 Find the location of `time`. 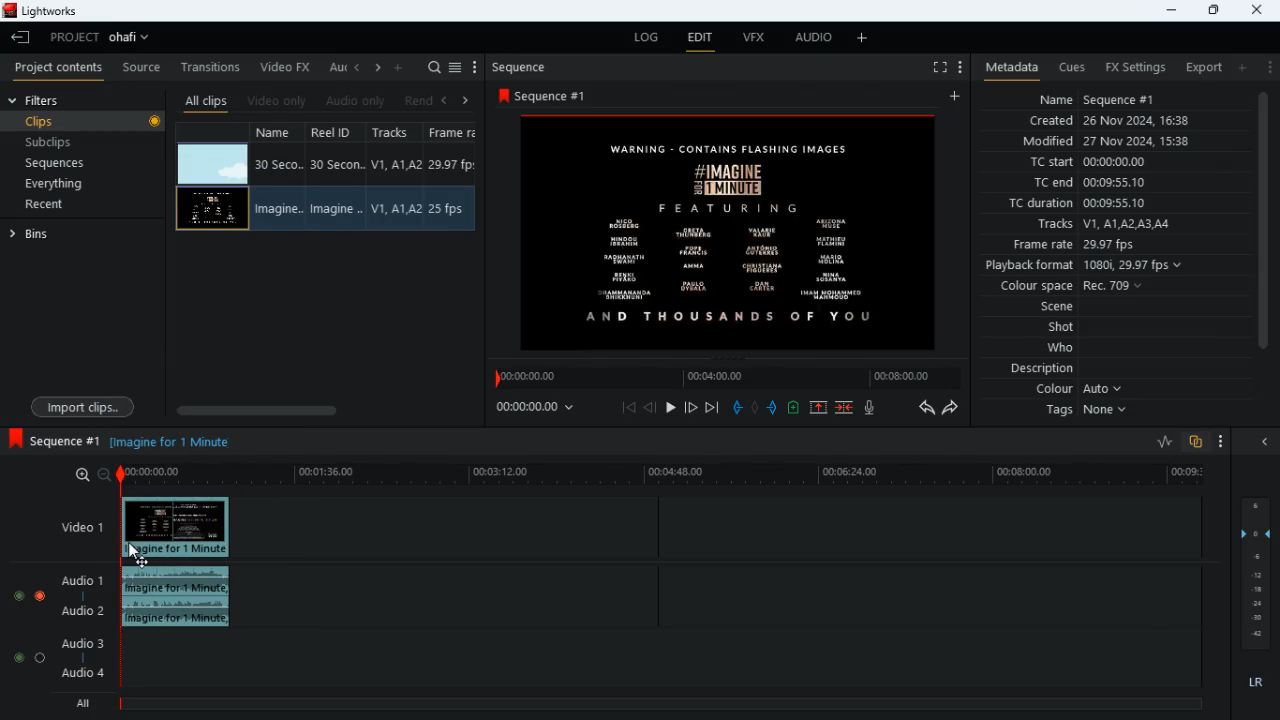

time is located at coordinates (662, 475).